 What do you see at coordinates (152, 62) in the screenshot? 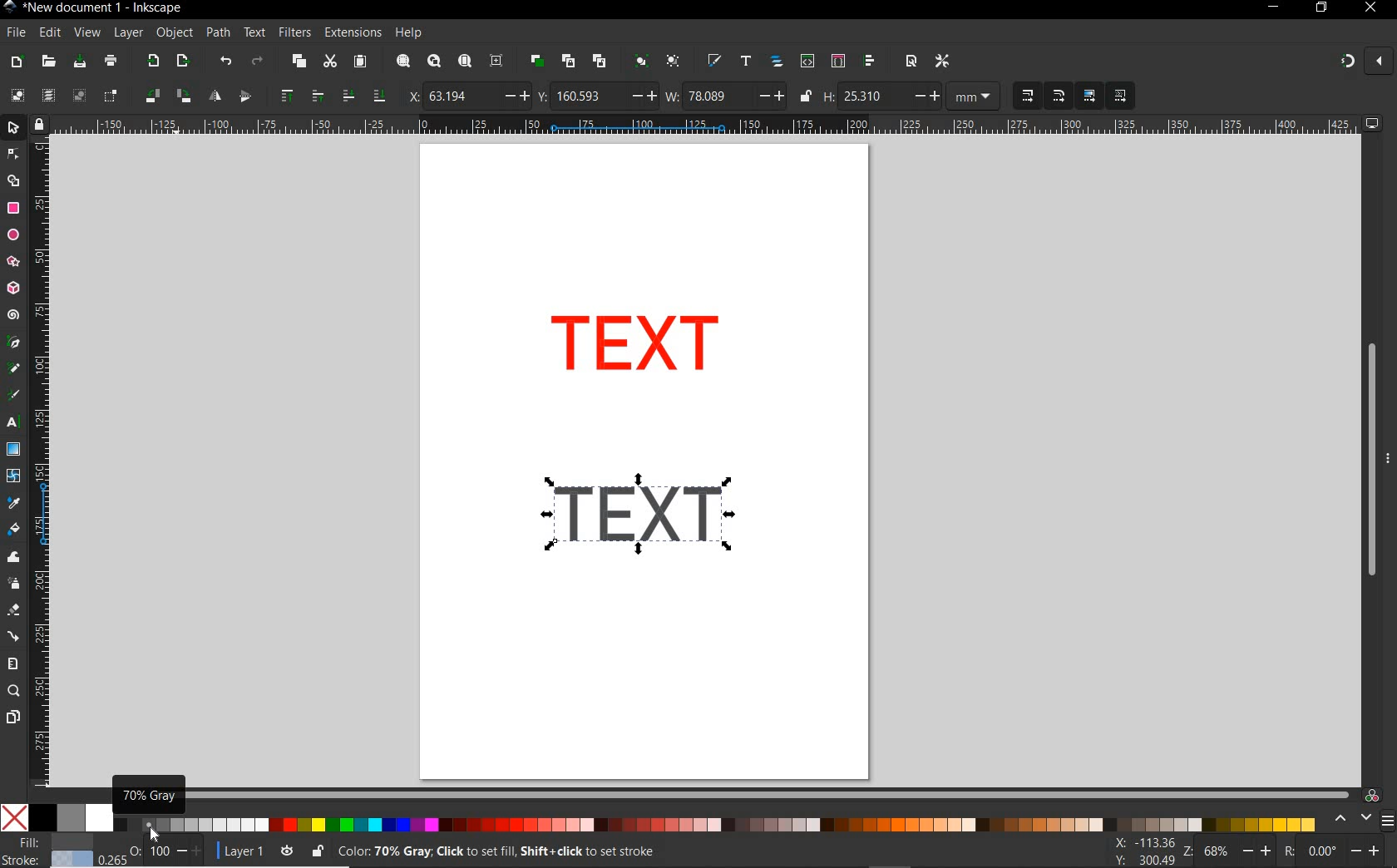
I see `import` at bounding box center [152, 62].